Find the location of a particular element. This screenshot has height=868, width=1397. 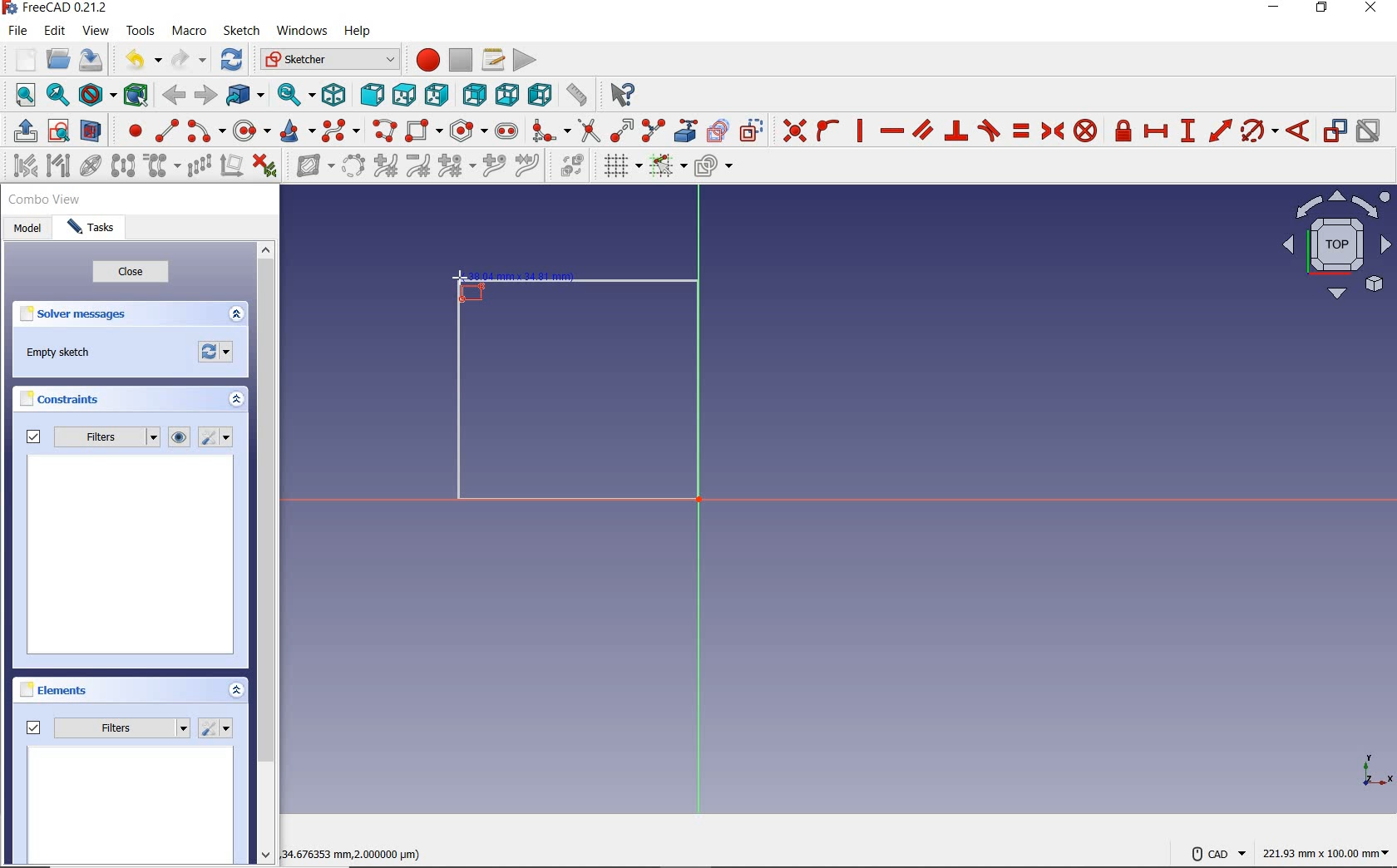

view section is located at coordinates (94, 131).